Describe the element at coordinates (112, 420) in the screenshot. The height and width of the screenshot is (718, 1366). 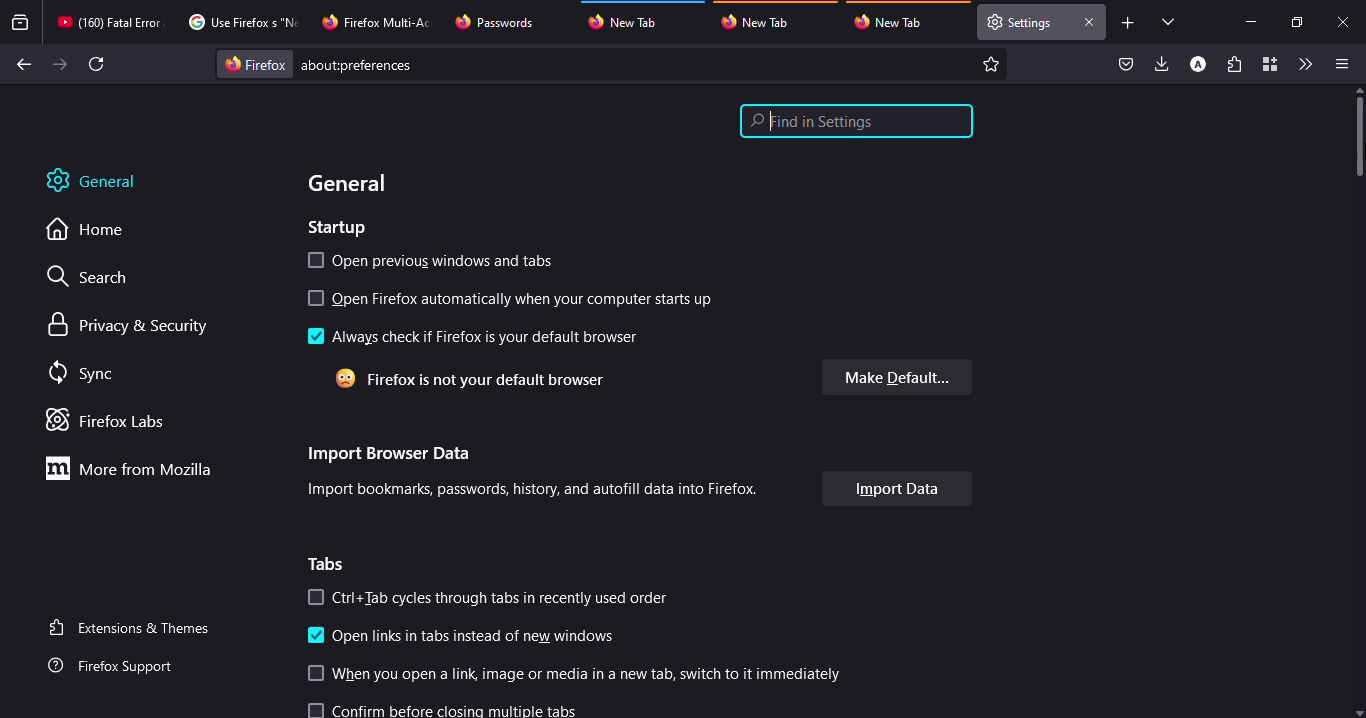
I see `firefox labs` at that location.